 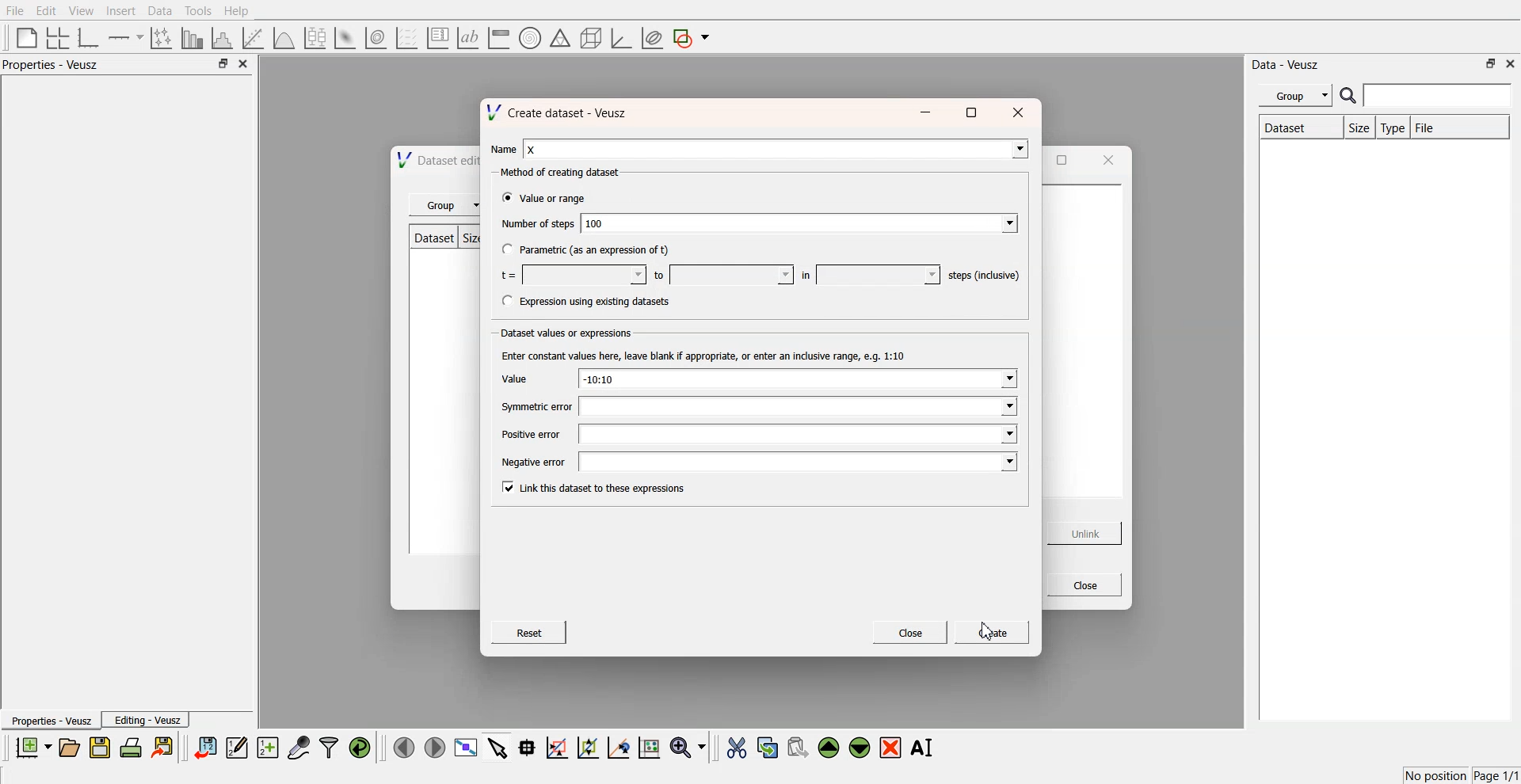 What do you see at coordinates (556, 746) in the screenshot?
I see `draw a rectangle on zoom graph axes` at bounding box center [556, 746].